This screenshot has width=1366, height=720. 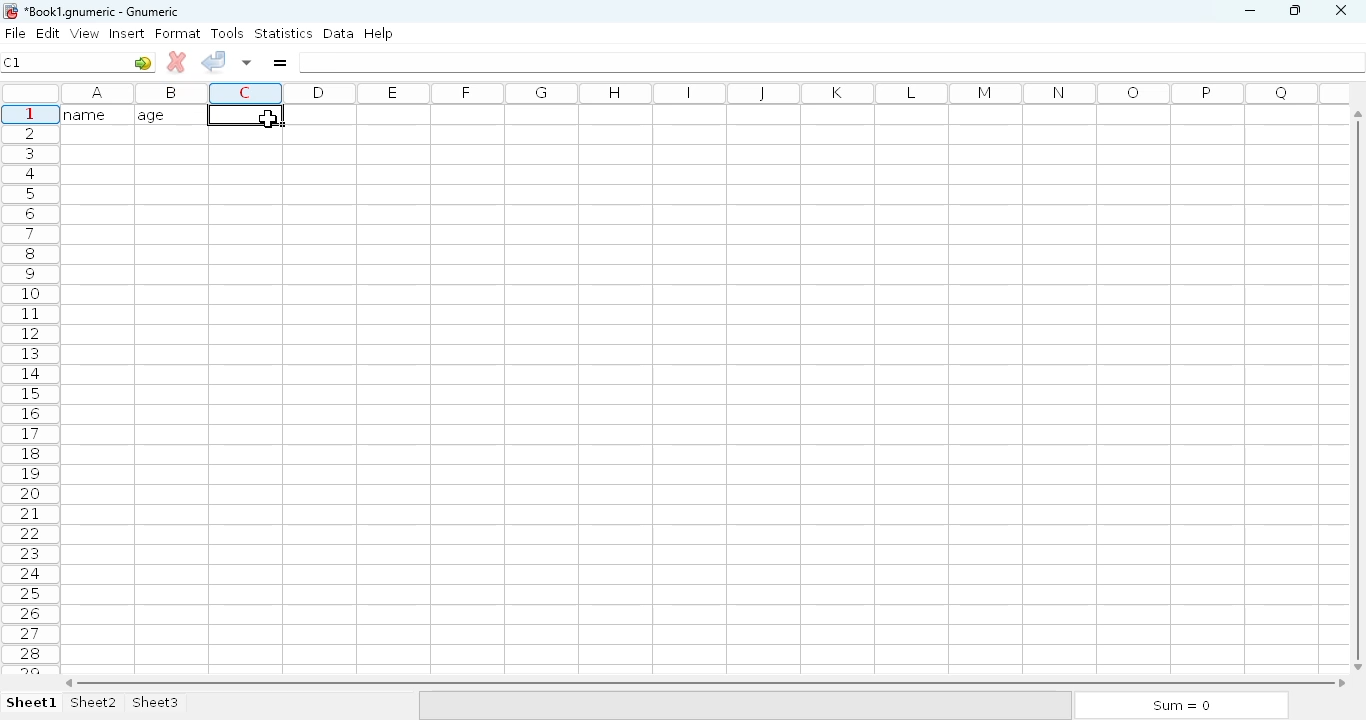 What do you see at coordinates (178, 33) in the screenshot?
I see `format` at bounding box center [178, 33].